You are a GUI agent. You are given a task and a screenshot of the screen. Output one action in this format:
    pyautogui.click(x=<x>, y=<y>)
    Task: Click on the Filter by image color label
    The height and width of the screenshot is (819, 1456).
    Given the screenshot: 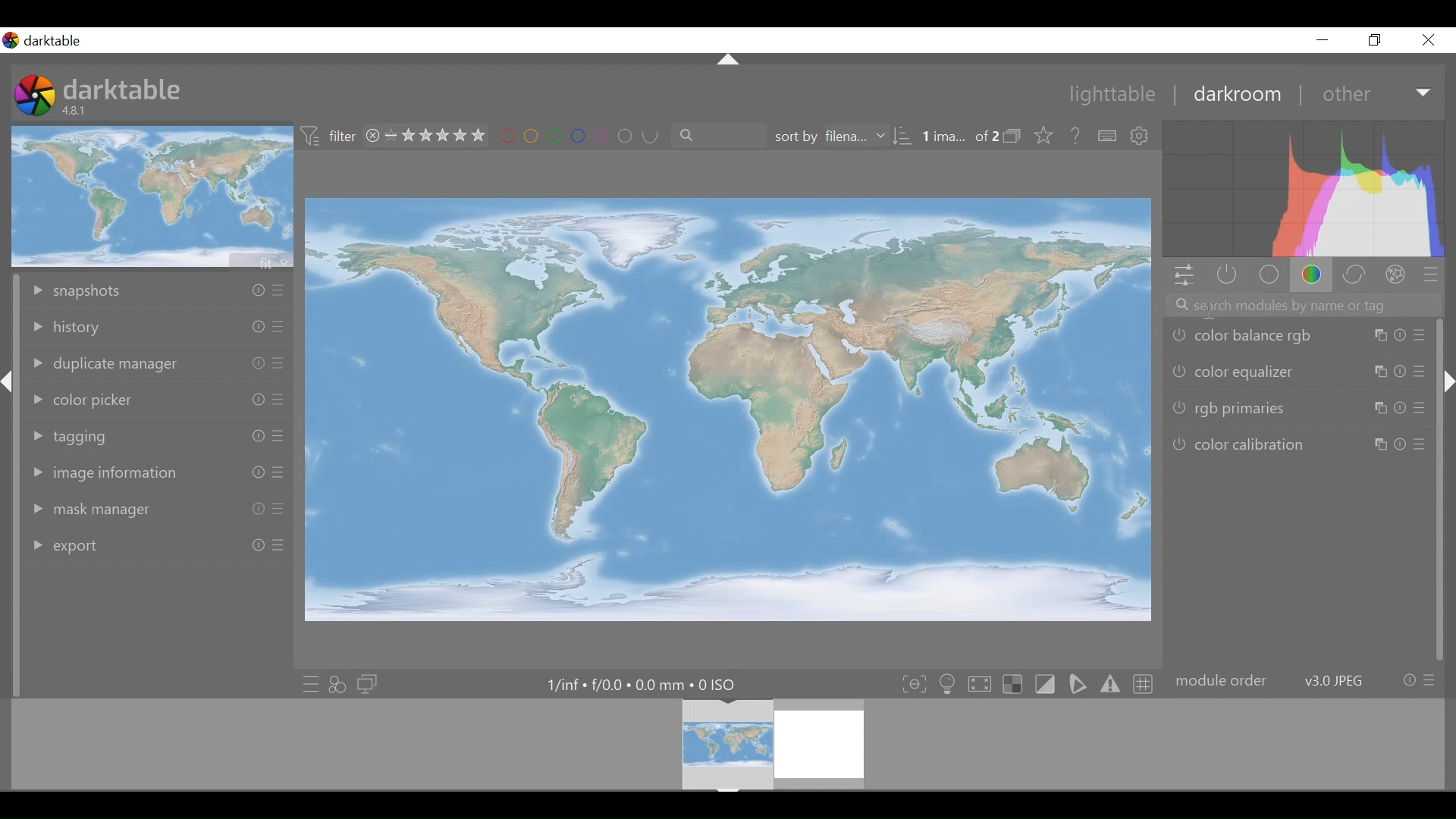 What is the action you would take?
    pyautogui.click(x=573, y=136)
    